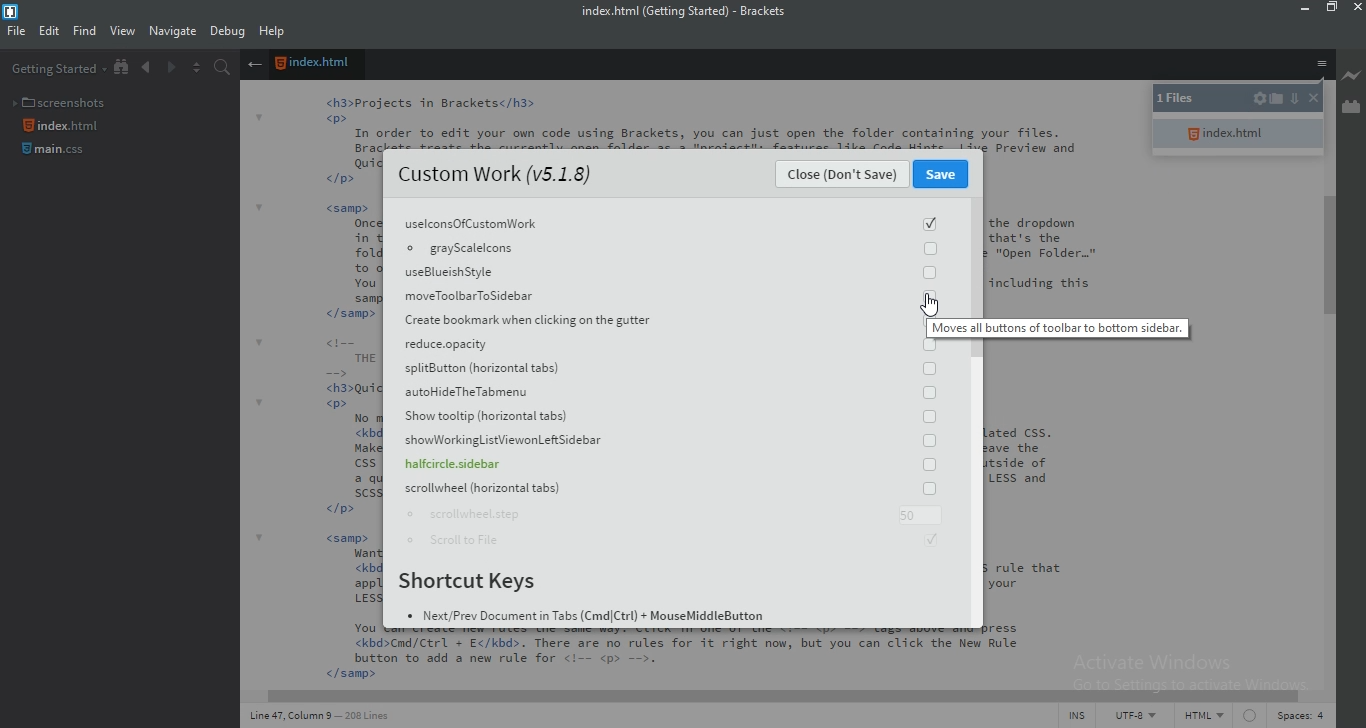 The width and height of the screenshot is (1366, 728). I want to click on Next document, so click(170, 69).